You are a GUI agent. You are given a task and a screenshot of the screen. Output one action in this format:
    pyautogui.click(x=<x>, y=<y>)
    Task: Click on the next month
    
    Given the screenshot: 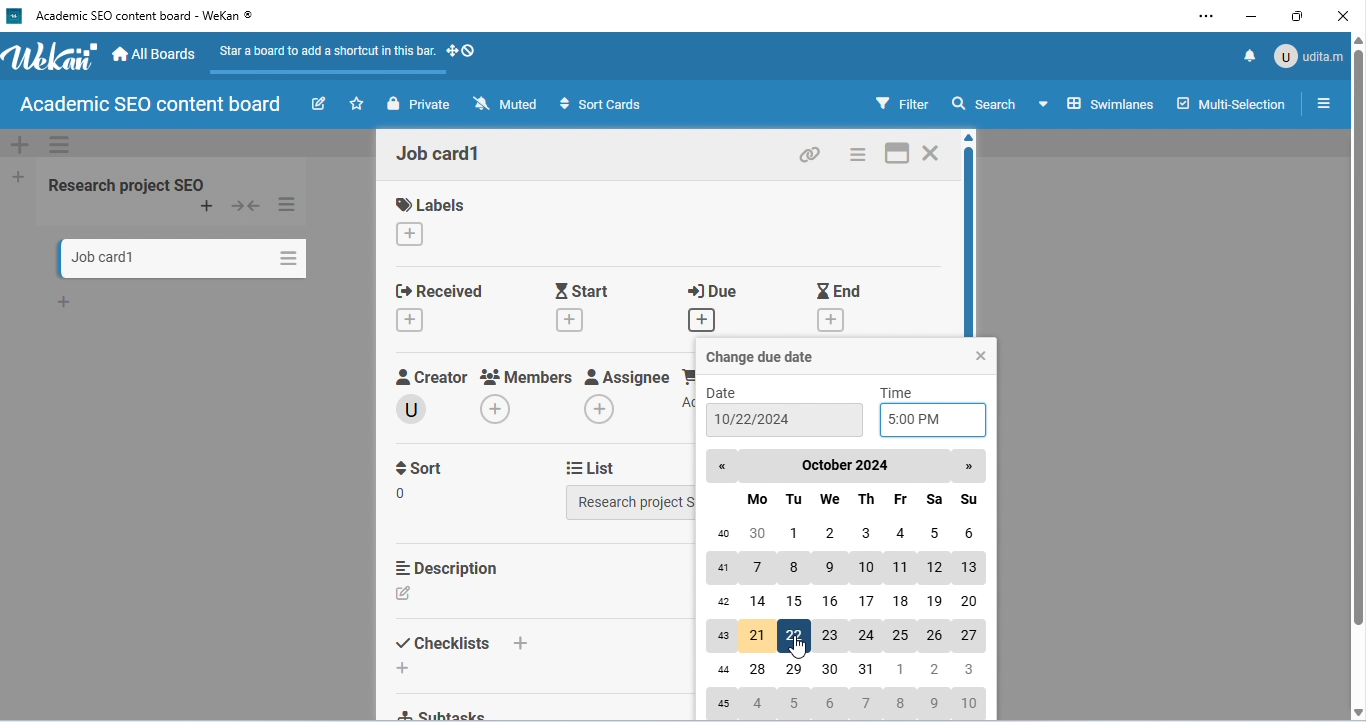 What is the action you would take?
    pyautogui.click(x=970, y=468)
    